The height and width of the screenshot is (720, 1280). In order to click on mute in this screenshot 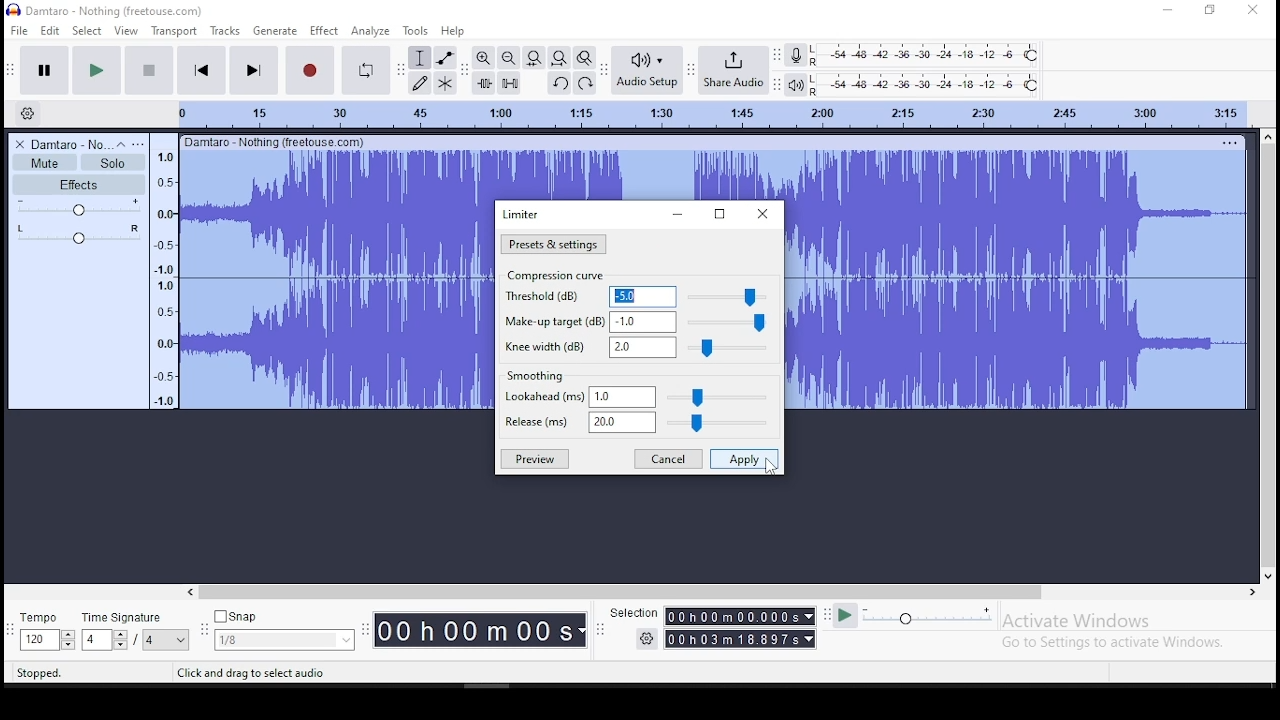, I will do `click(45, 163)`.